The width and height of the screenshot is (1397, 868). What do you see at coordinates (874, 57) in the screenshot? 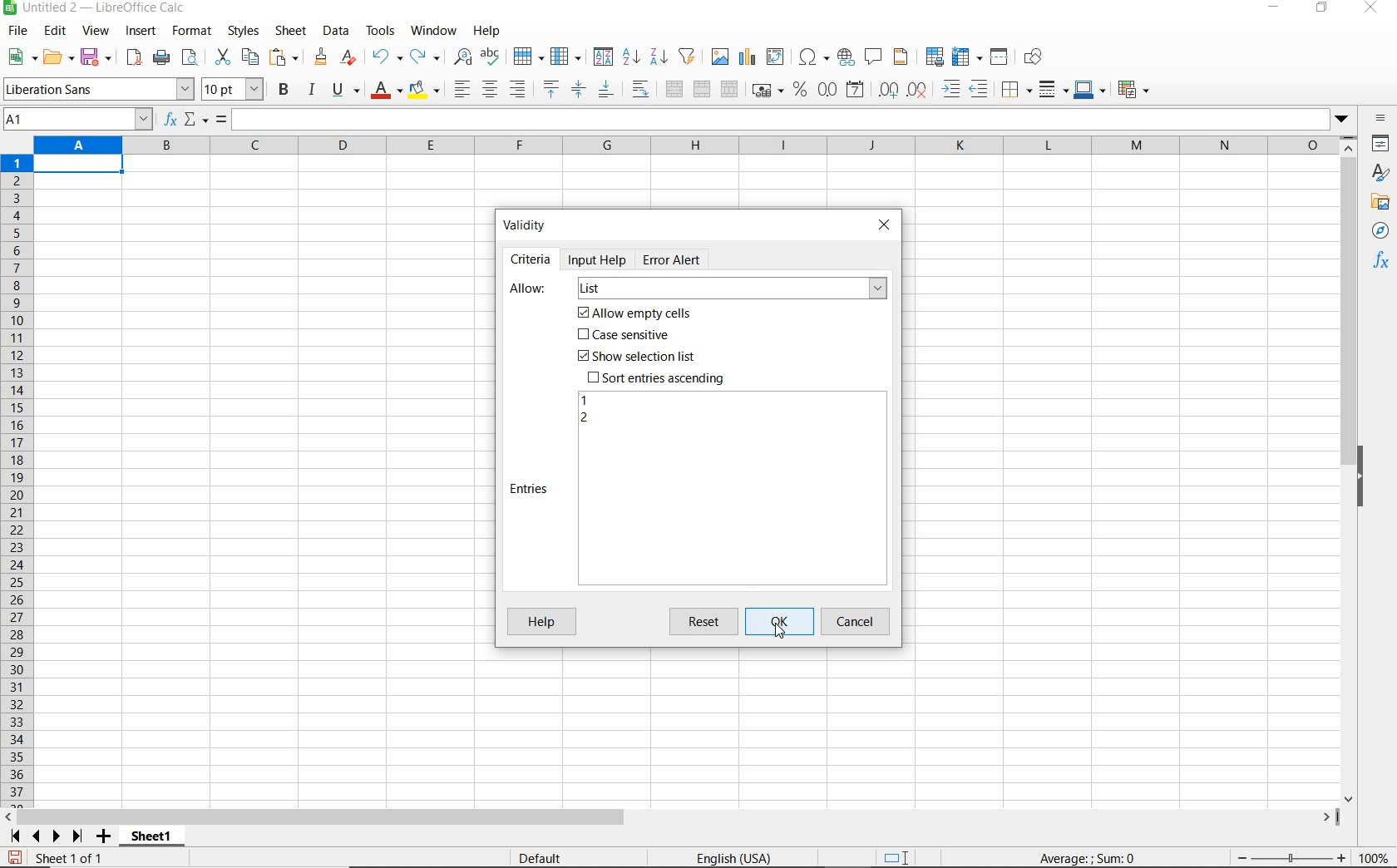
I see `insert comment ` at bounding box center [874, 57].